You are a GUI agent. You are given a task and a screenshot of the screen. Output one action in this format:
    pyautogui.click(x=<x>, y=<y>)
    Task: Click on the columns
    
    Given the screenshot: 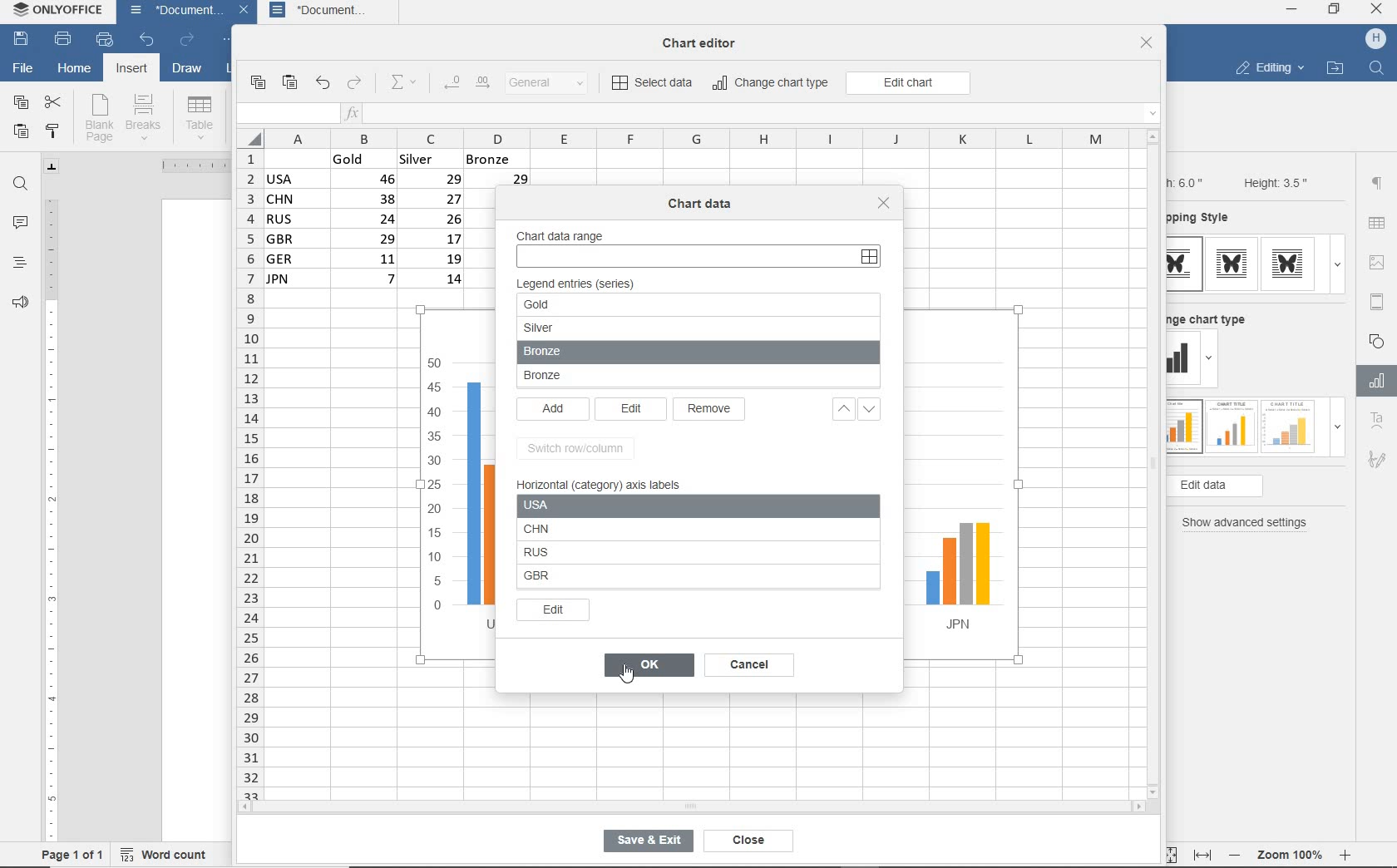 What is the action you would take?
    pyautogui.click(x=684, y=138)
    